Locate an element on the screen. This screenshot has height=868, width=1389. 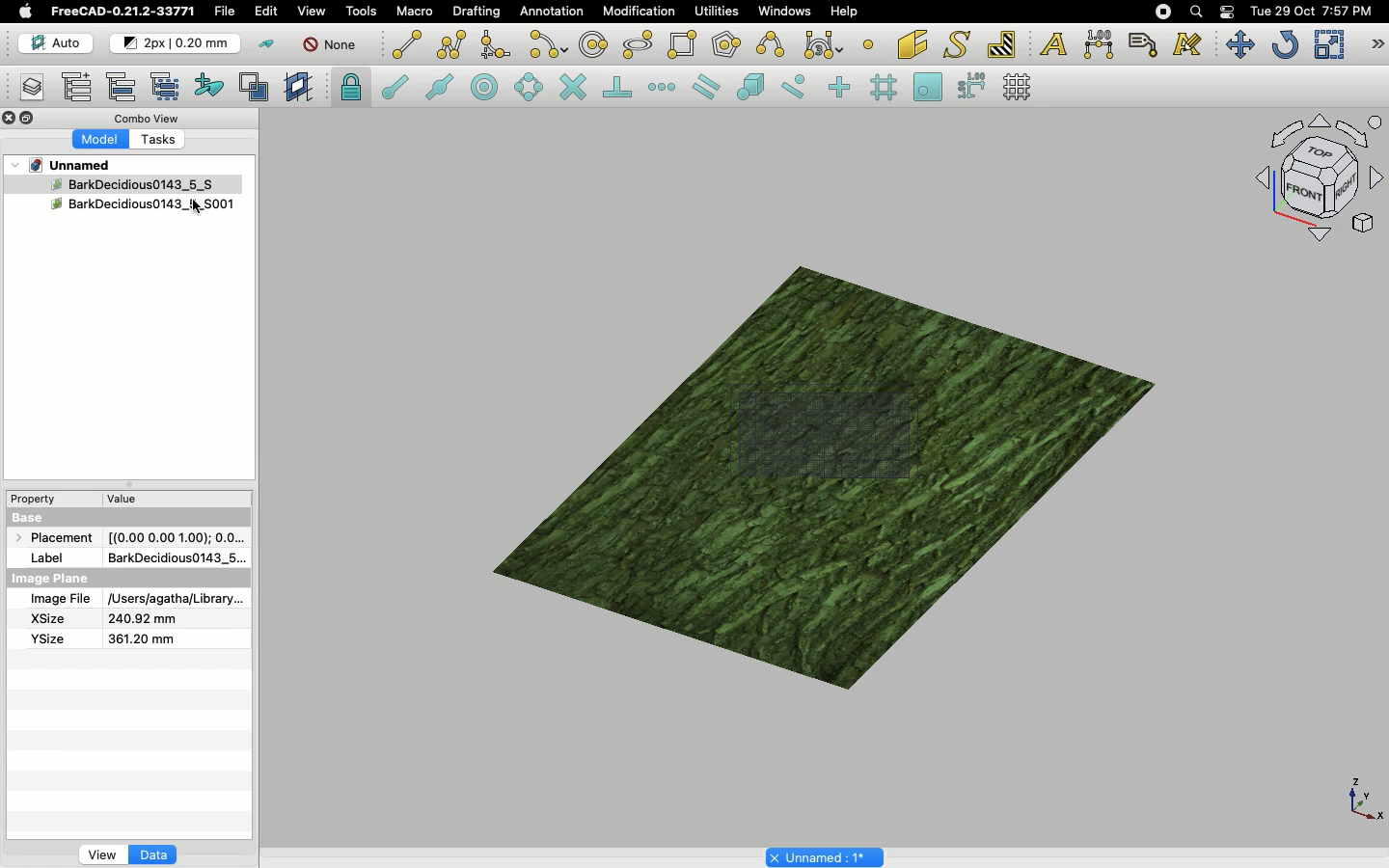
Drafting is located at coordinates (478, 11).